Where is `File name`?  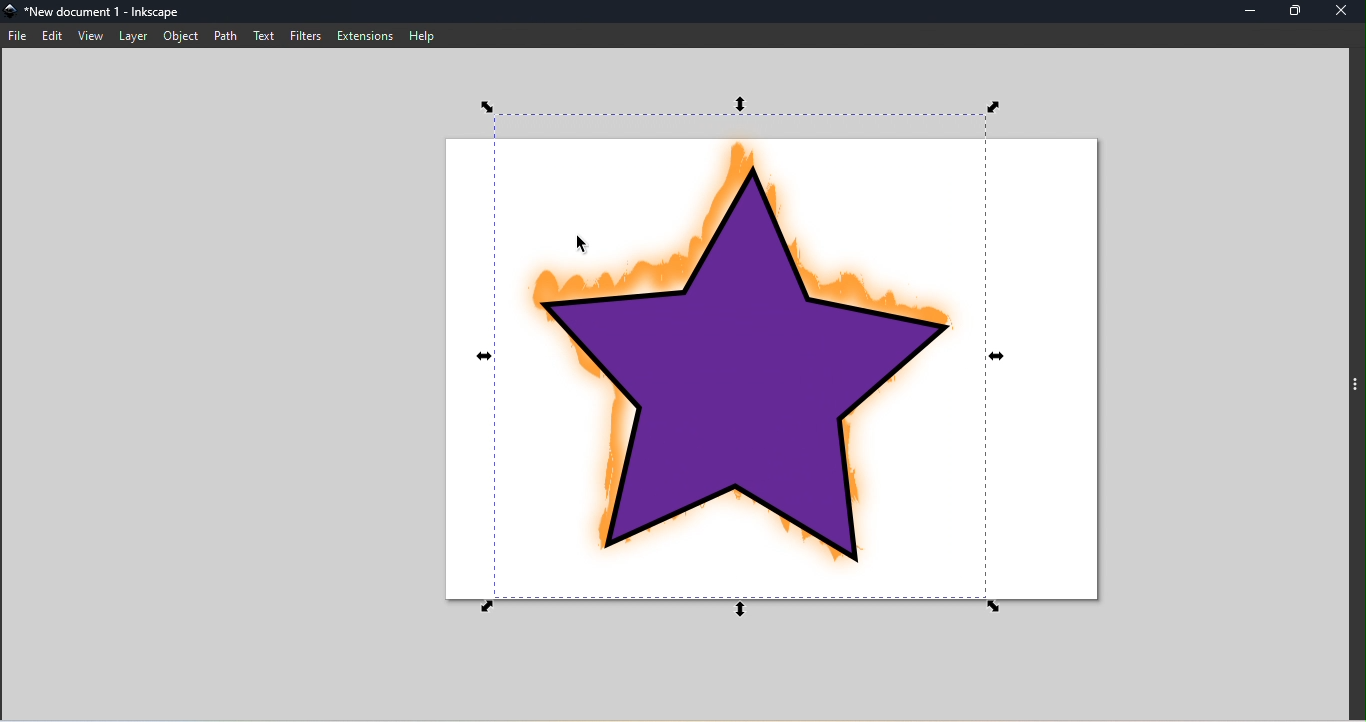 File name is located at coordinates (102, 11).